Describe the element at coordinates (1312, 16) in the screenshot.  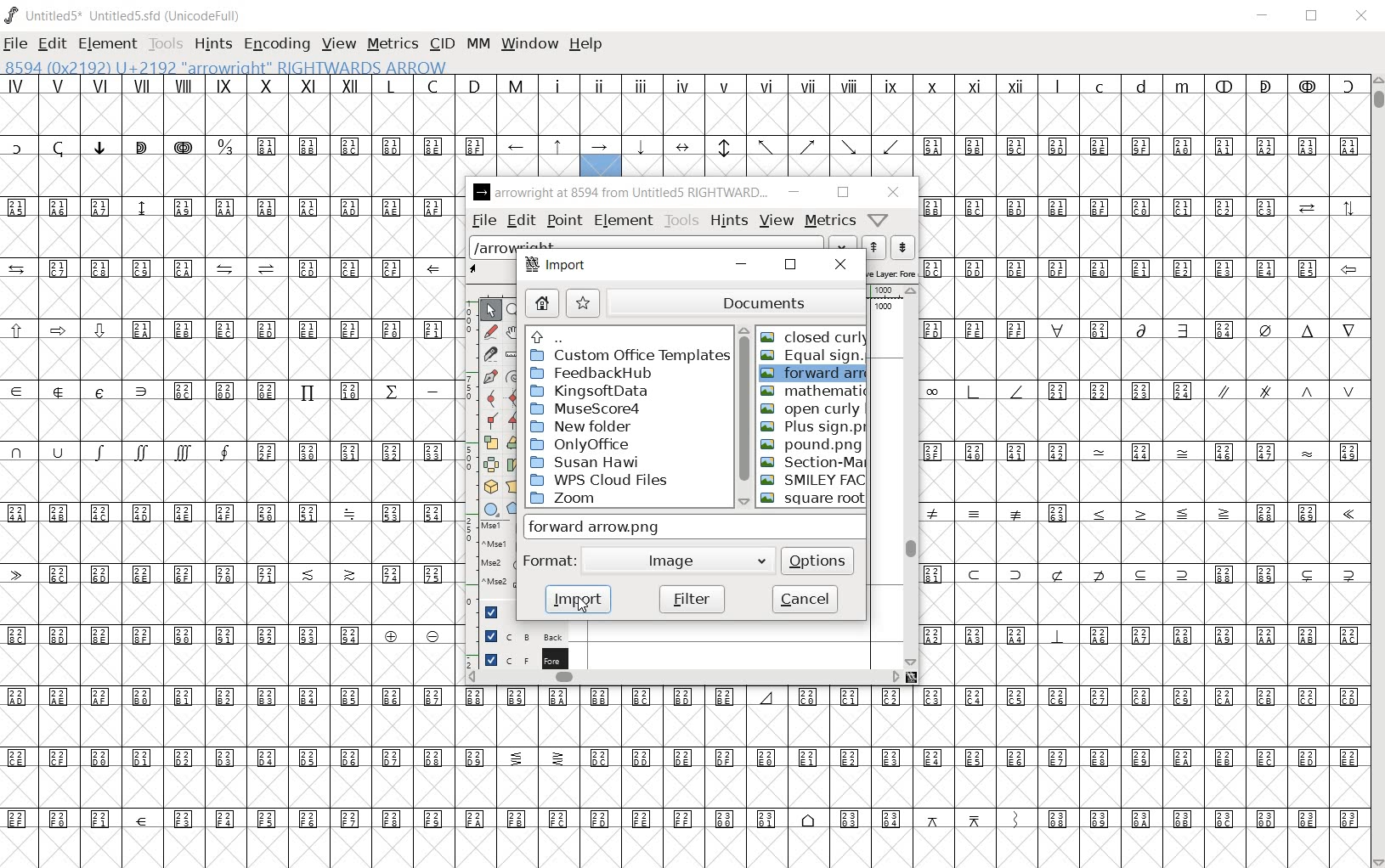
I see `RESTORE DOWN` at that location.